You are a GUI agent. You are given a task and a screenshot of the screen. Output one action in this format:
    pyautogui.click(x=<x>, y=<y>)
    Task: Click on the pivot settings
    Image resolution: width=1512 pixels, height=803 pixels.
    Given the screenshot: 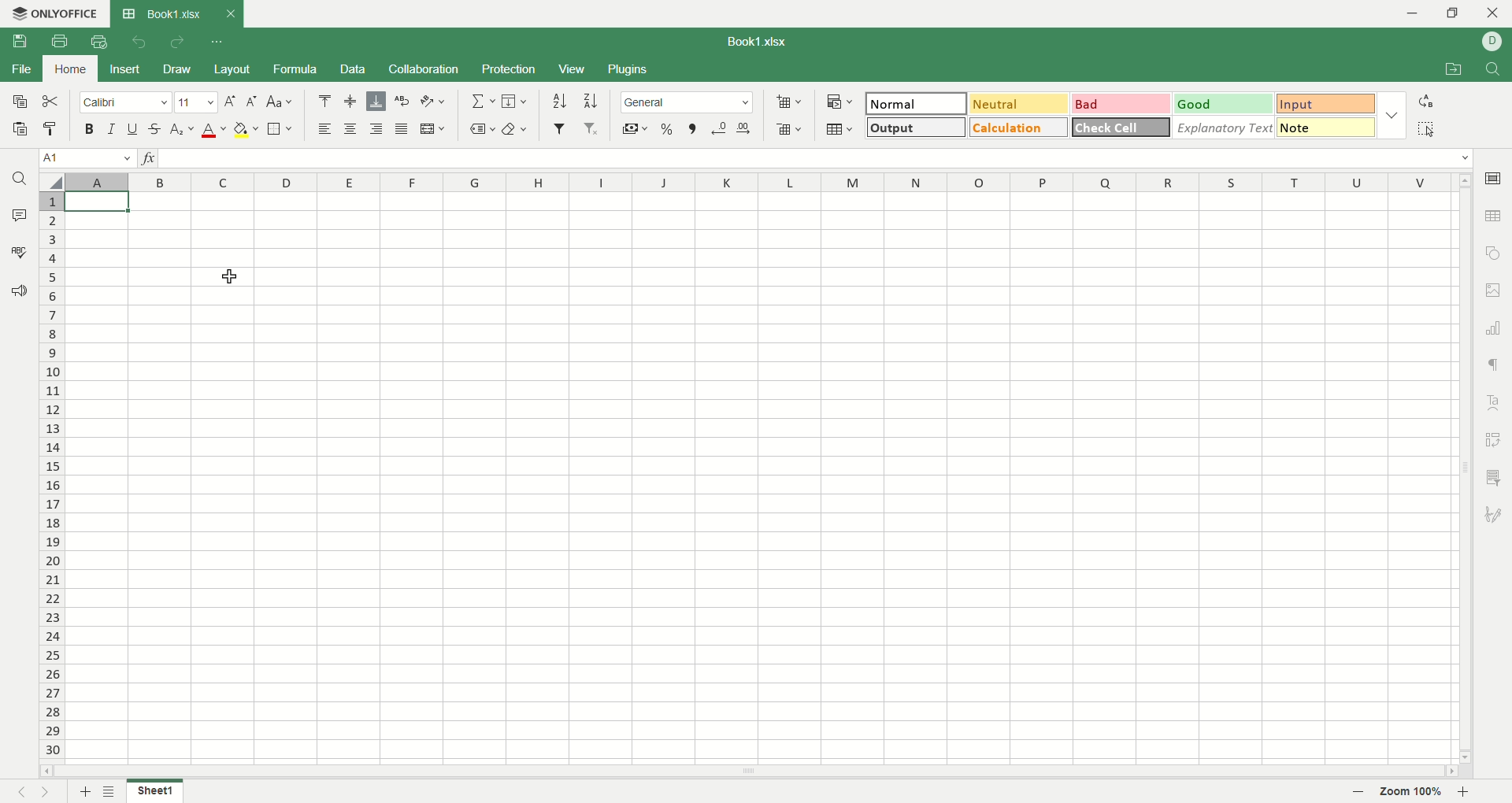 What is the action you would take?
    pyautogui.click(x=1495, y=439)
    